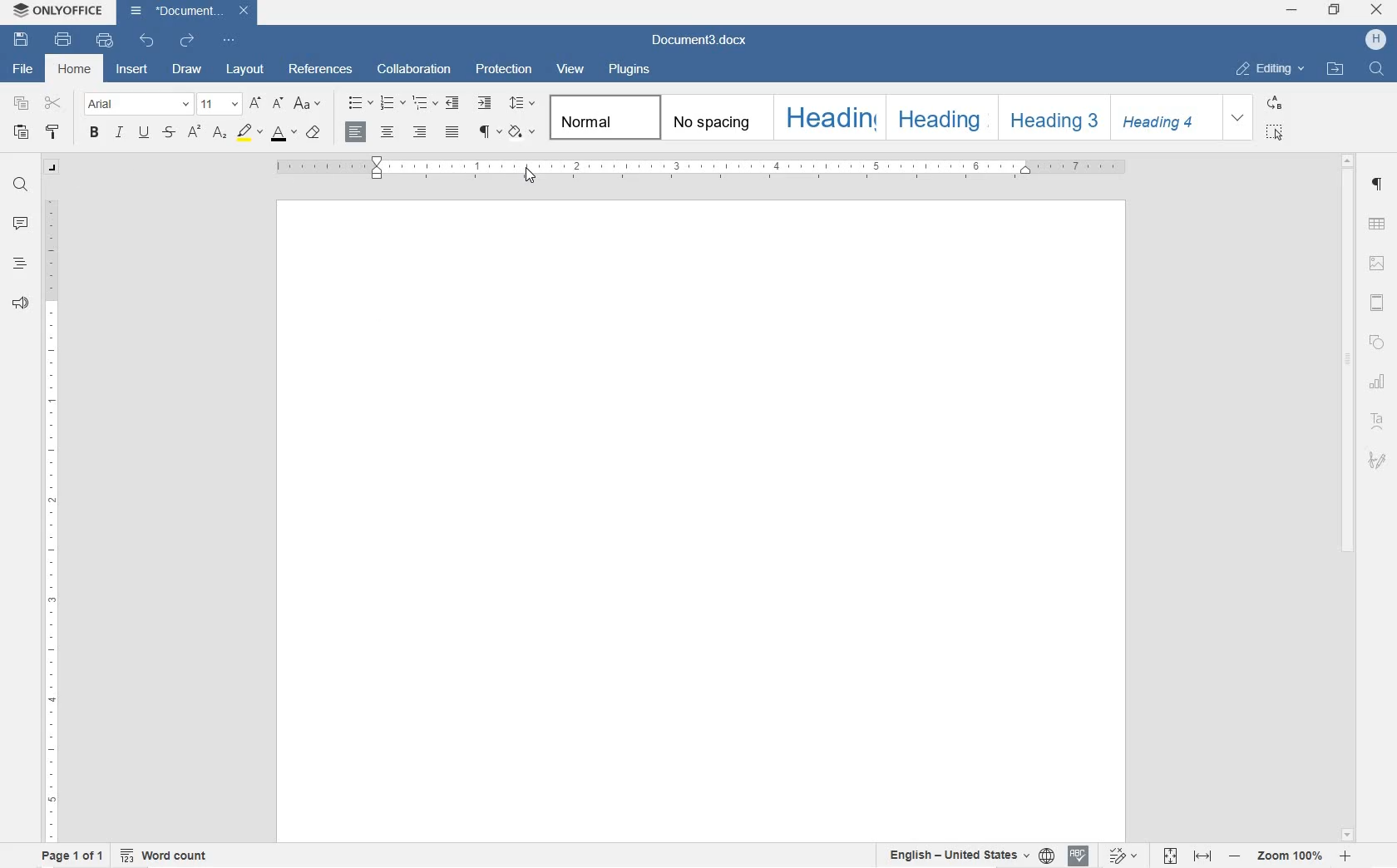 This screenshot has width=1397, height=868. Describe the element at coordinates (528, 176) in the screenshot. I see `cursor` at that location.